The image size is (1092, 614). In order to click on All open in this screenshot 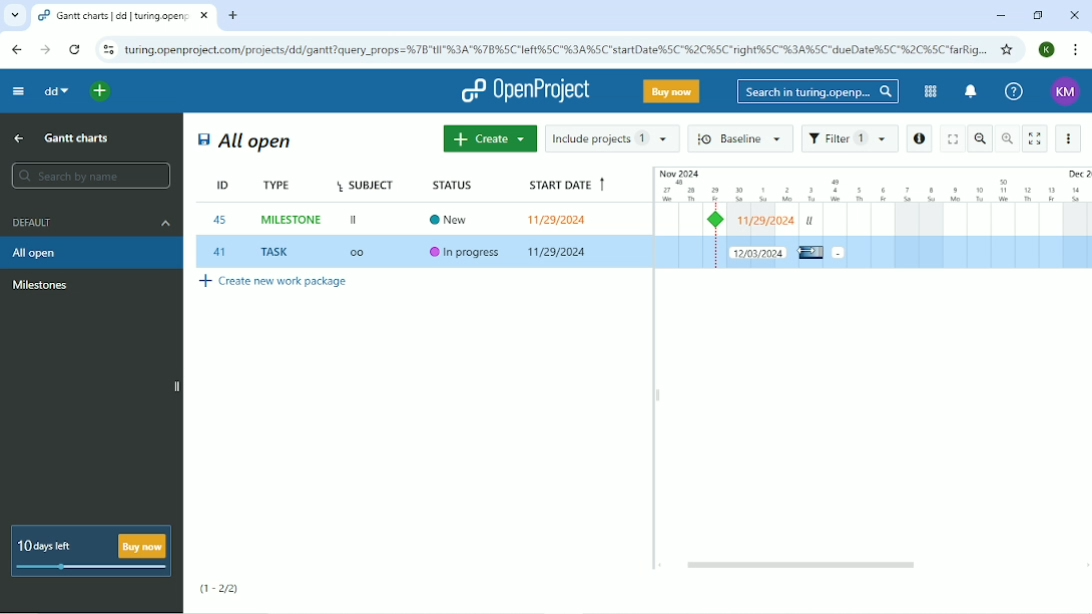, I will do `click(92, 252)`.